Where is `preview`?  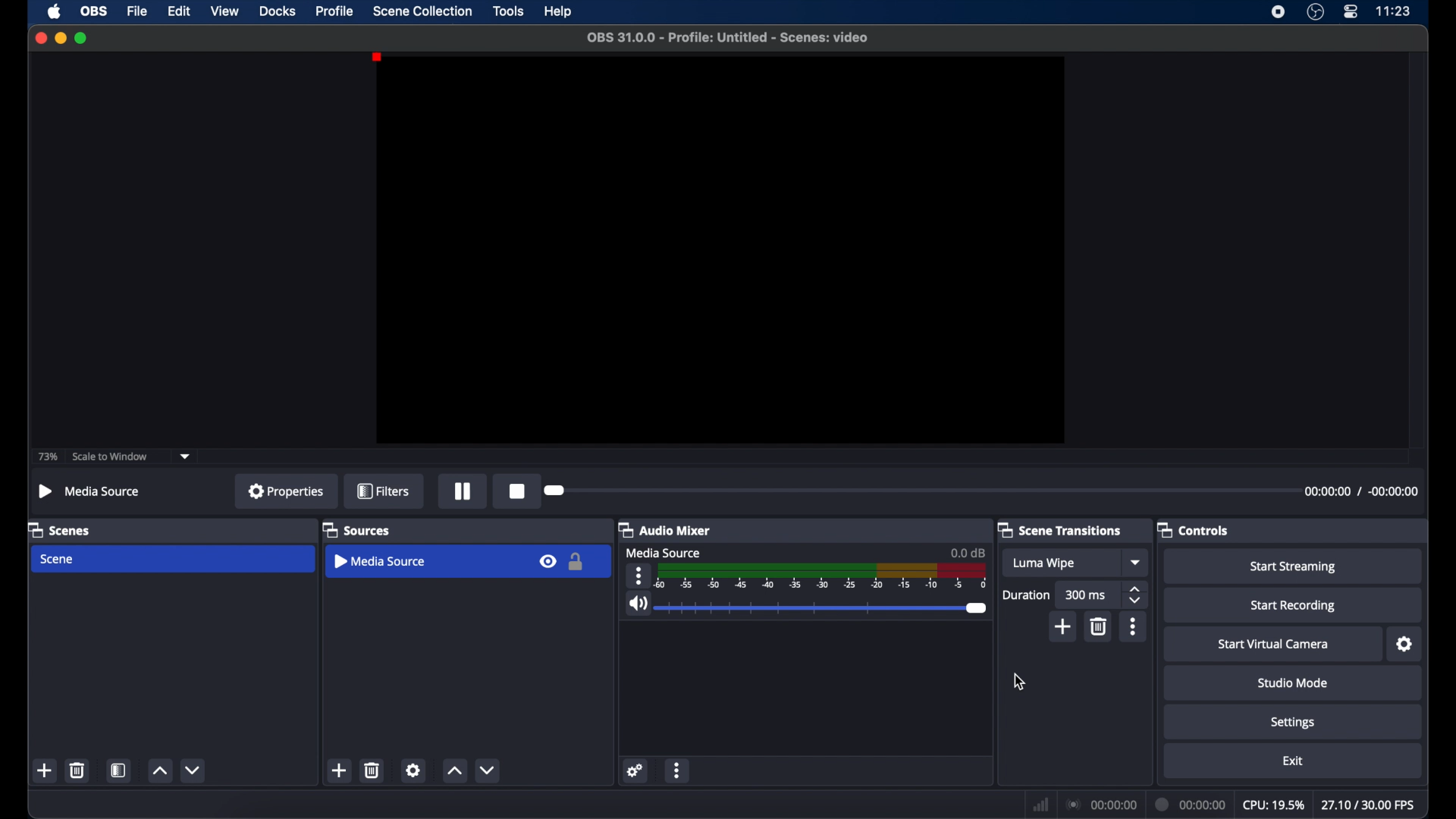
preview is located at coordinates (718, 249).